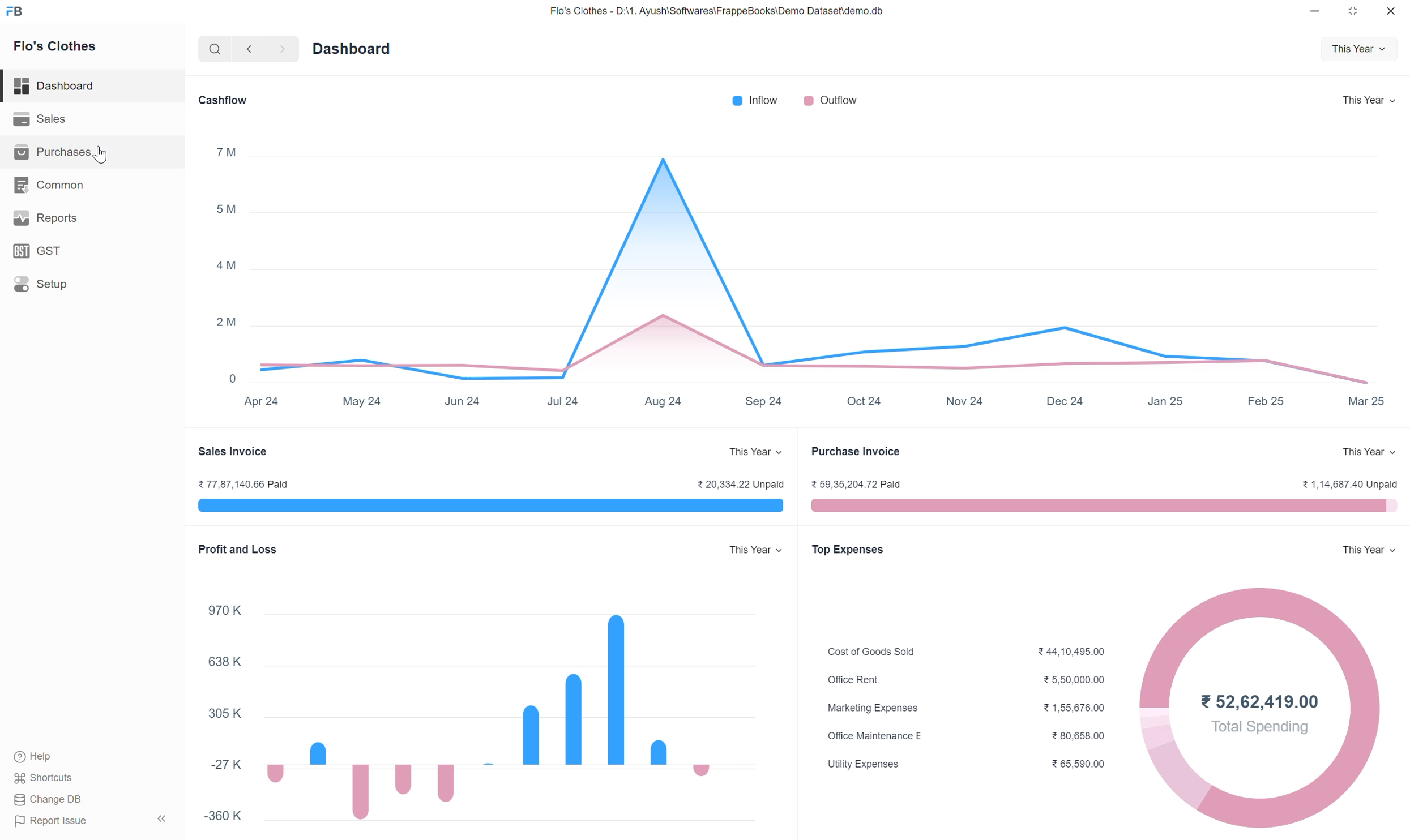  I want to click on Oct 24, so click(868, 402).